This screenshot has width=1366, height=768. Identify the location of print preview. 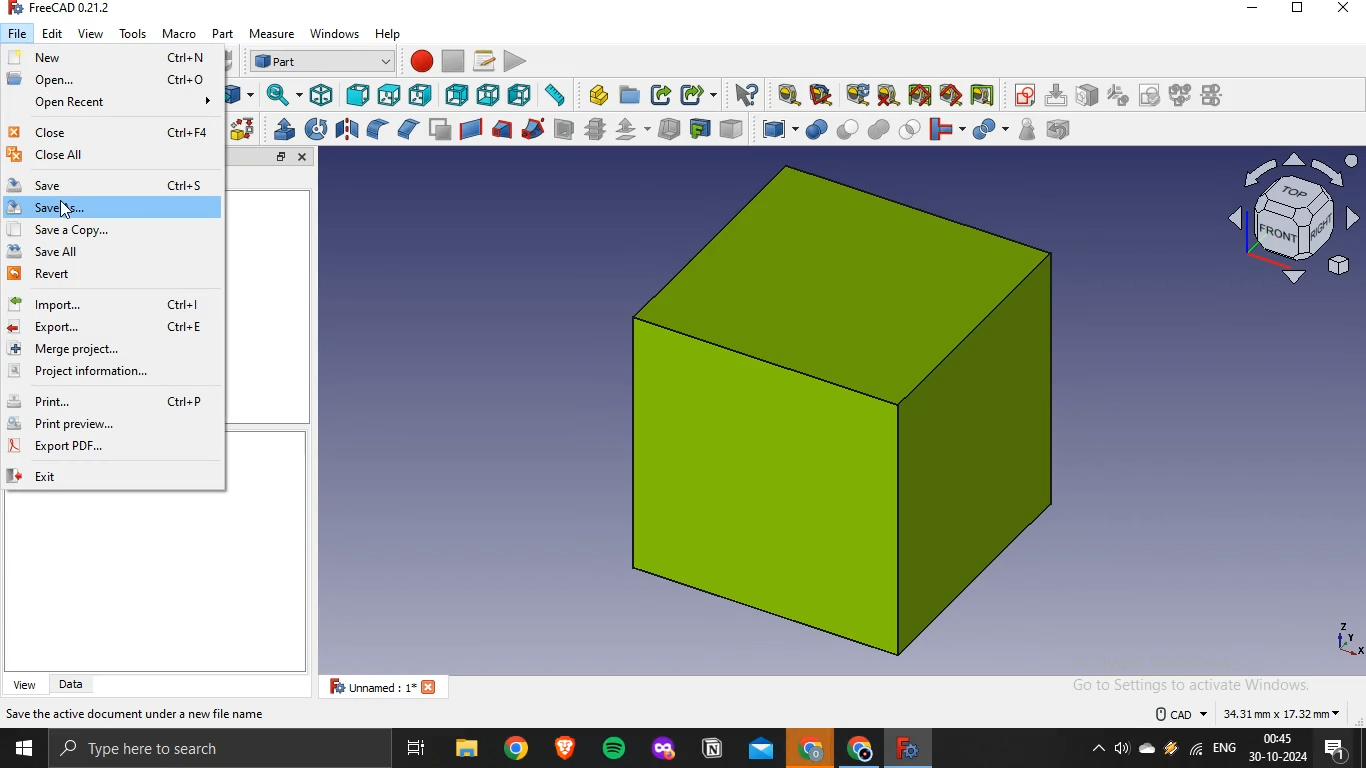
(104, 424).